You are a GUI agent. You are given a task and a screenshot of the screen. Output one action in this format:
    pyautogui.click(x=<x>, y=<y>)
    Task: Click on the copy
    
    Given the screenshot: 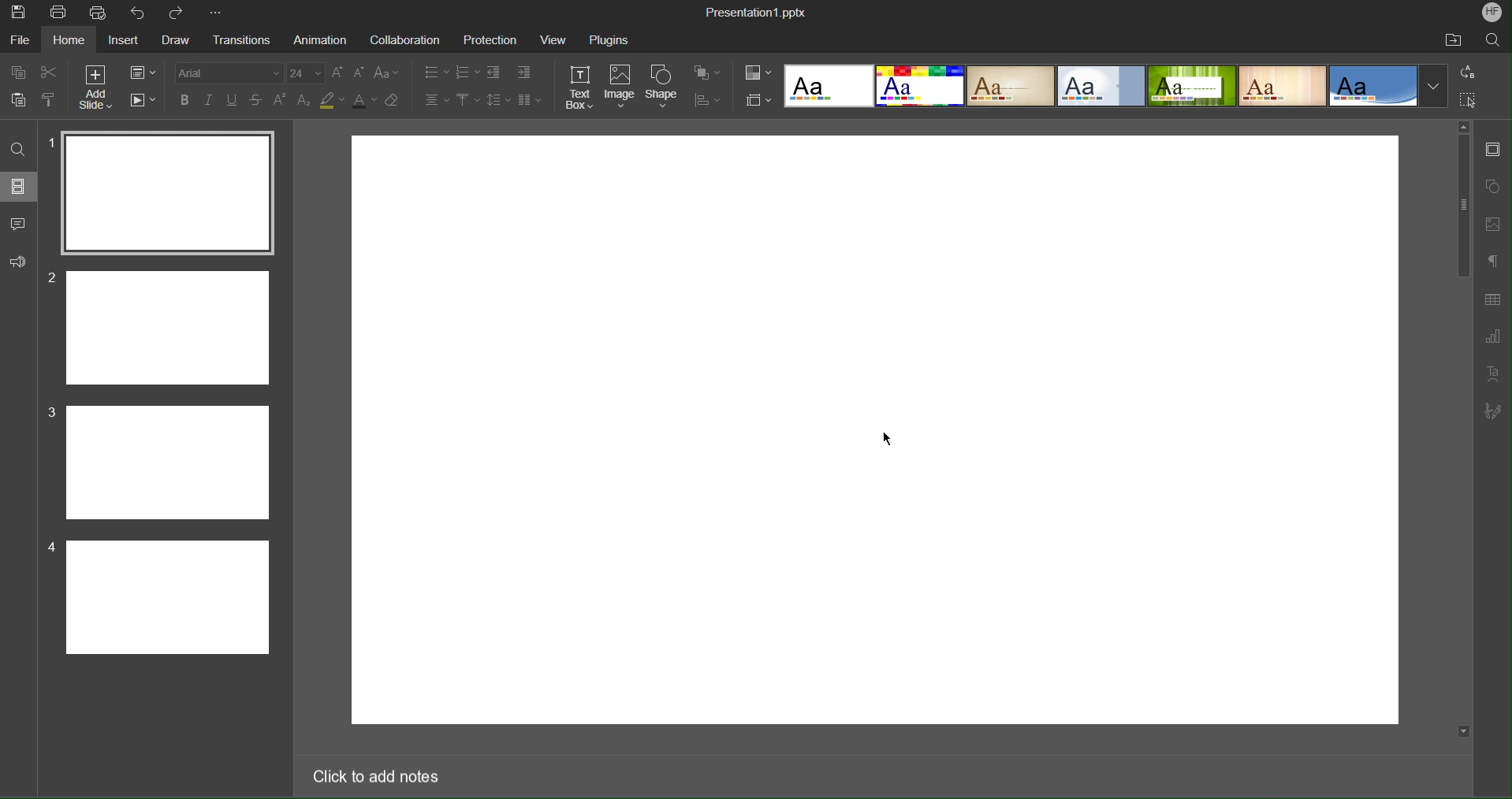 What is the action you would take?
    pyautogui.click(x=19, y=74)
    